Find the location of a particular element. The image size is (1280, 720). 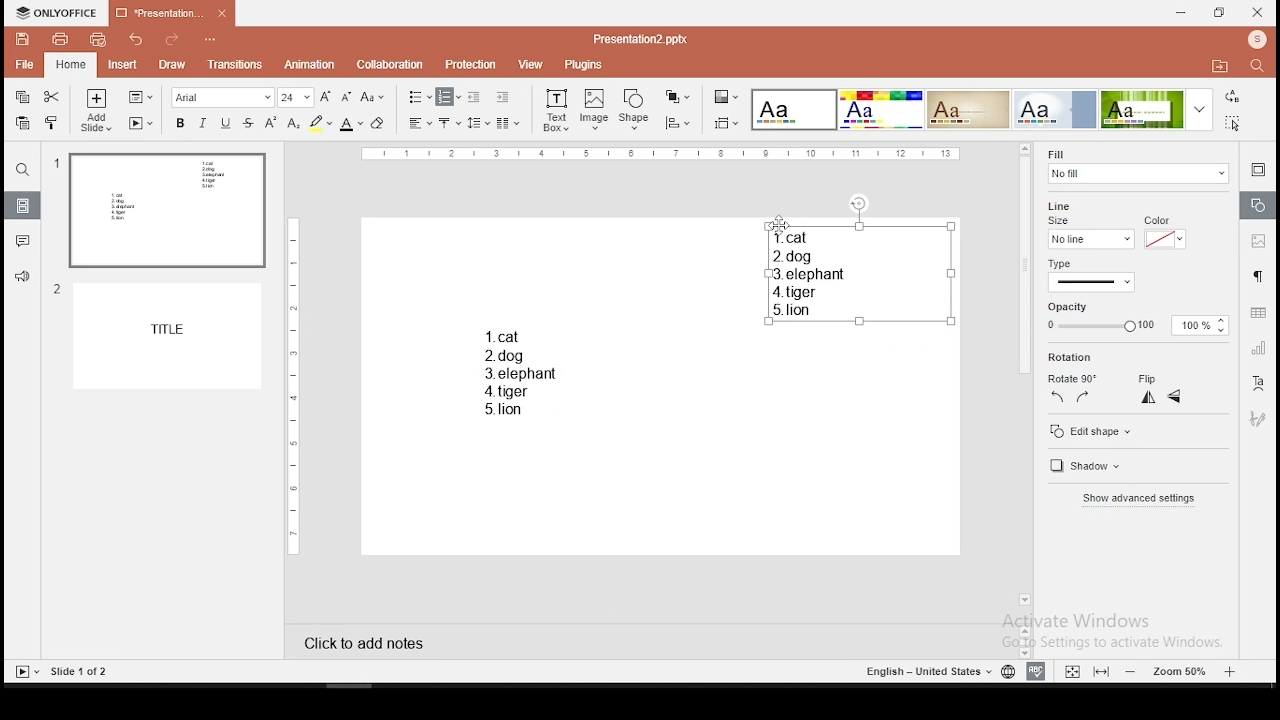

search is located at coordinates (1261, 68).